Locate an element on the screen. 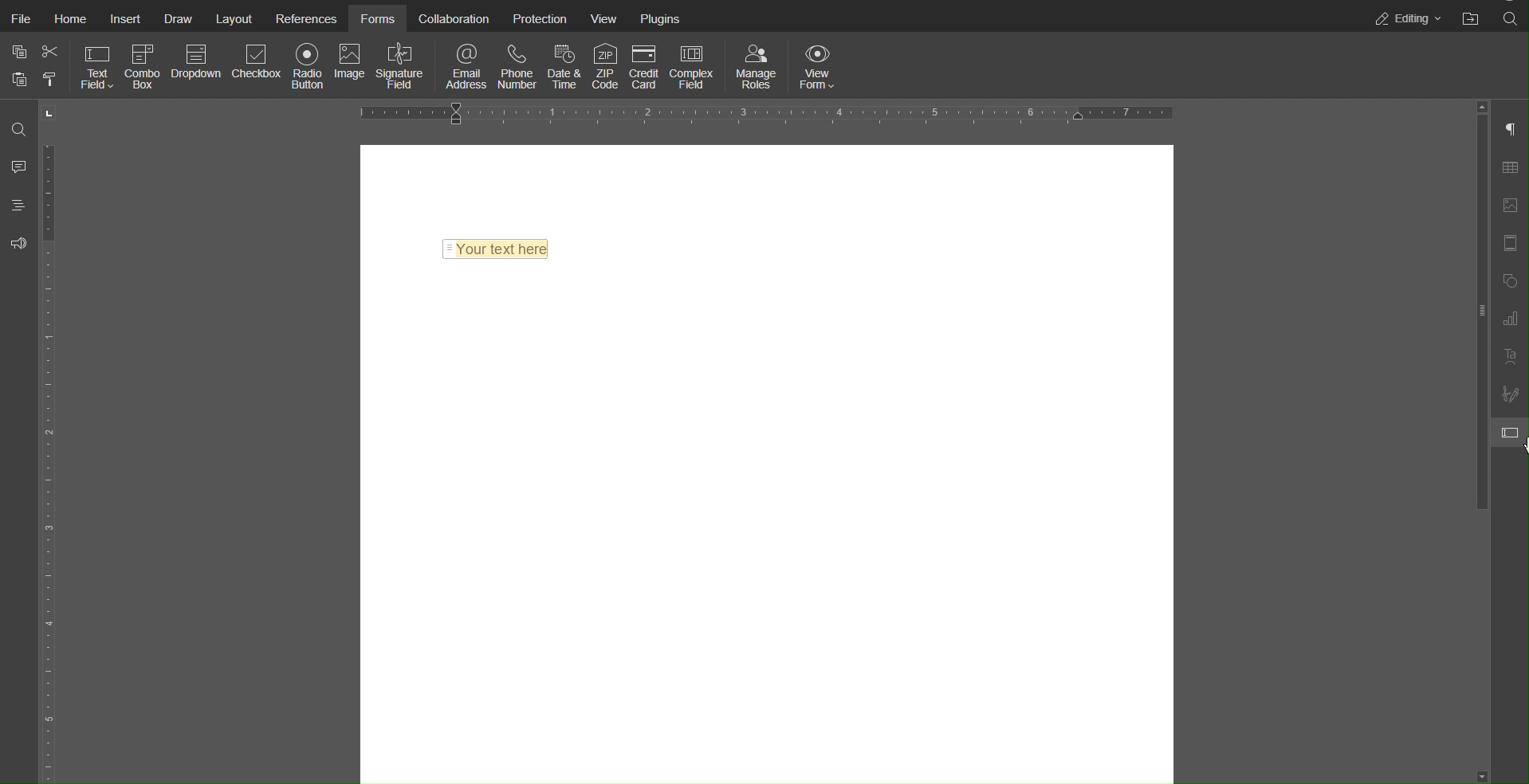 Image resolution: width=1529 pixels, height=784 pixels. Complex Field is located at coordinates (694, 67).